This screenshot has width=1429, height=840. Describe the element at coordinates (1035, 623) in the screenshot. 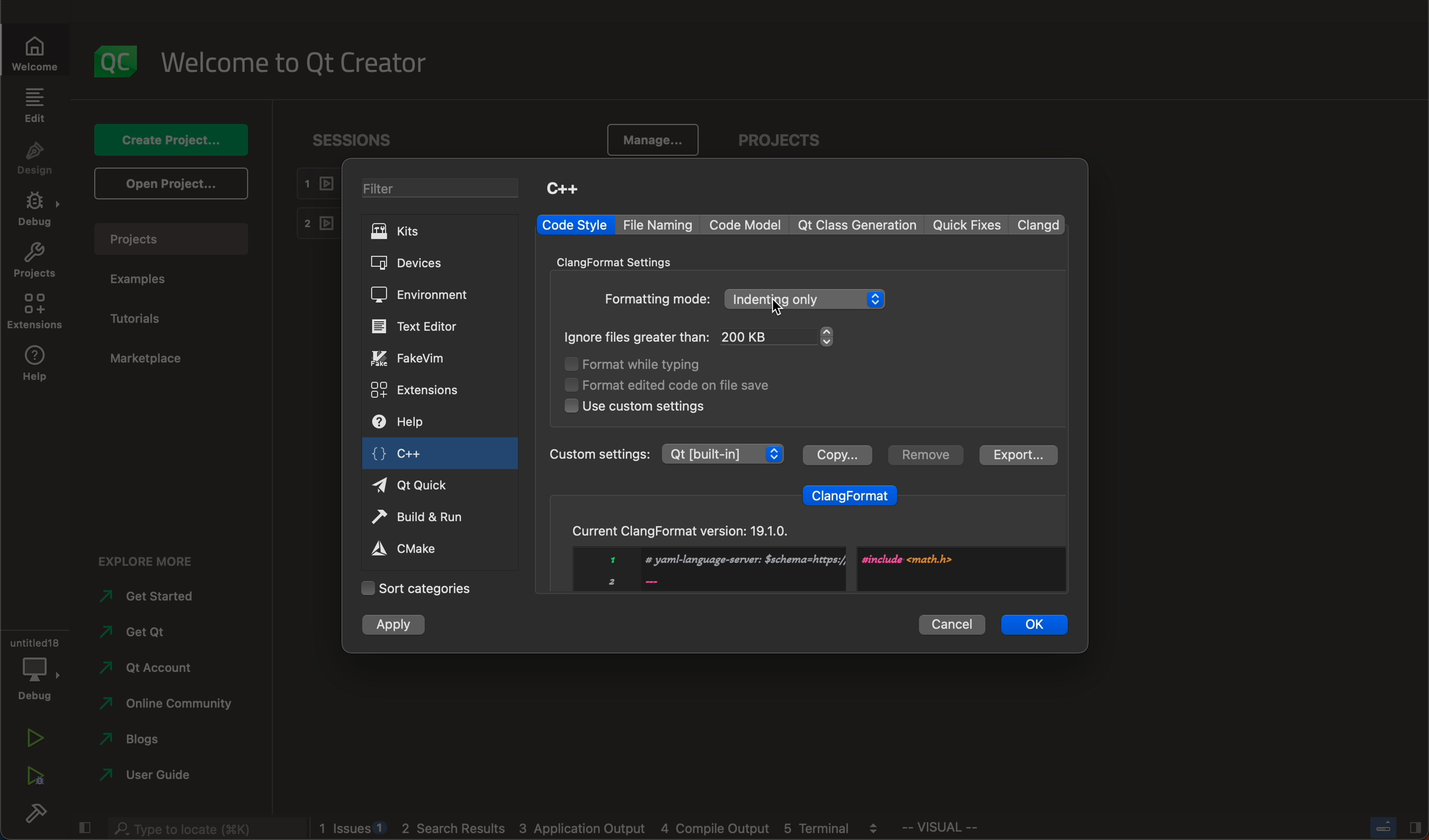

I see `ok` at that location.